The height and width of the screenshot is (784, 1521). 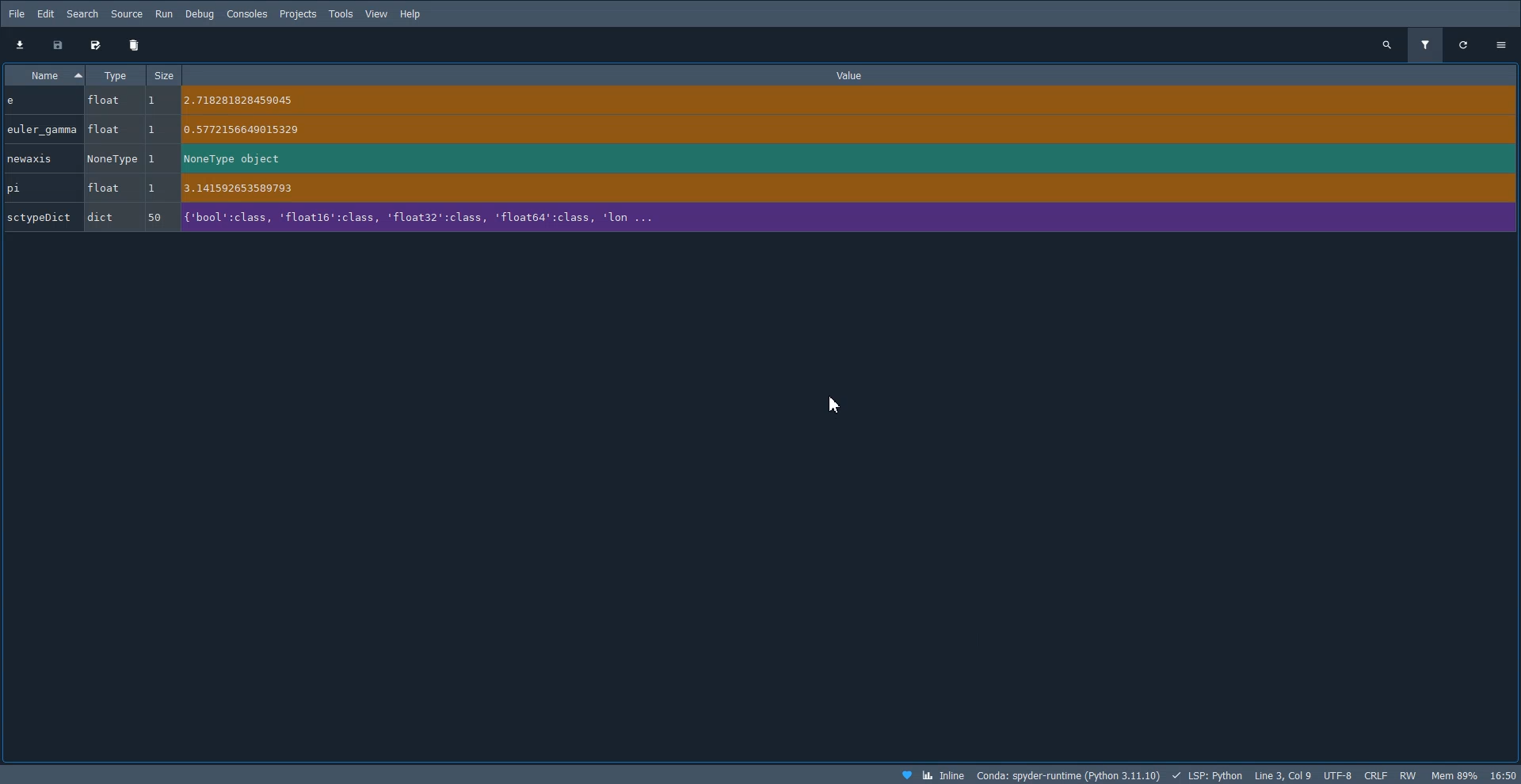 I want to click on Tools, so click(x=341, y=13).